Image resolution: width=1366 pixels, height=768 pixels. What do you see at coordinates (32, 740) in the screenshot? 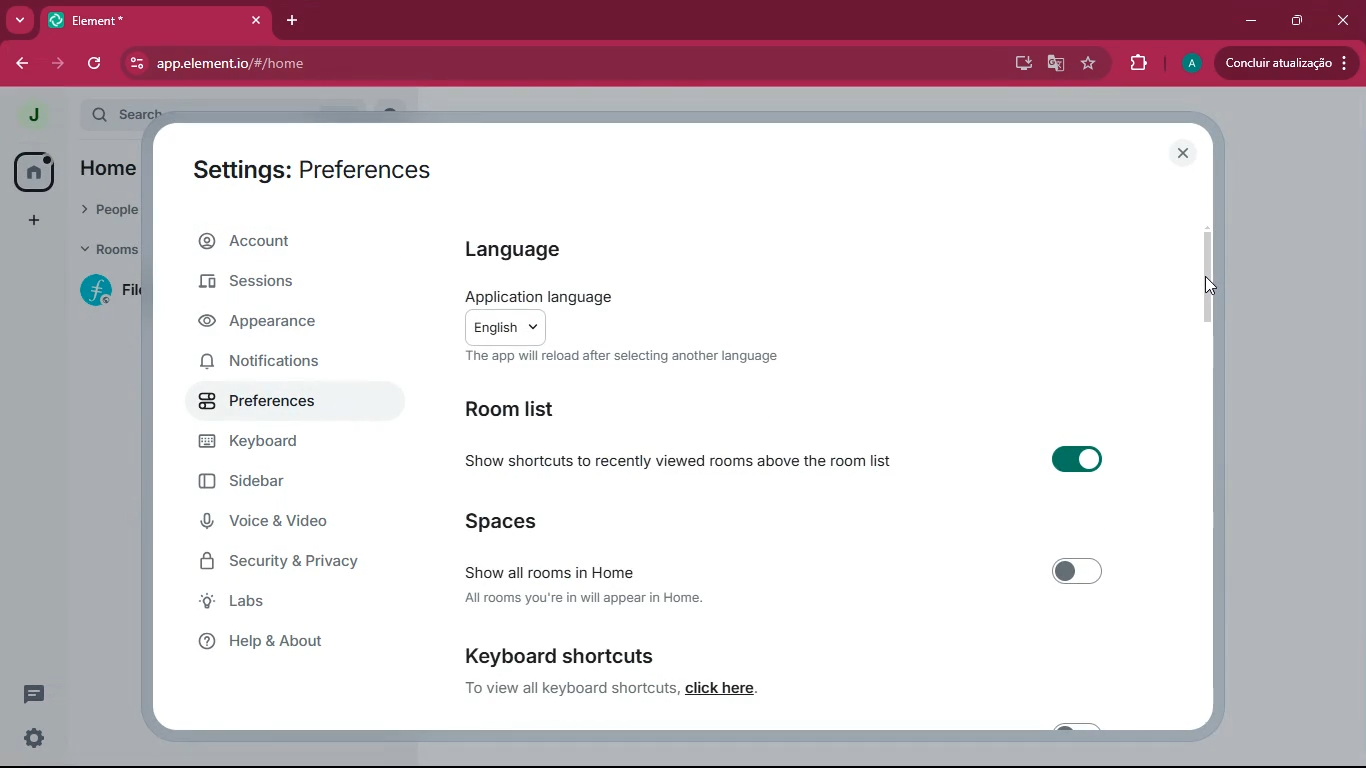
I see `quick settings` at bounding box center [32, 740].